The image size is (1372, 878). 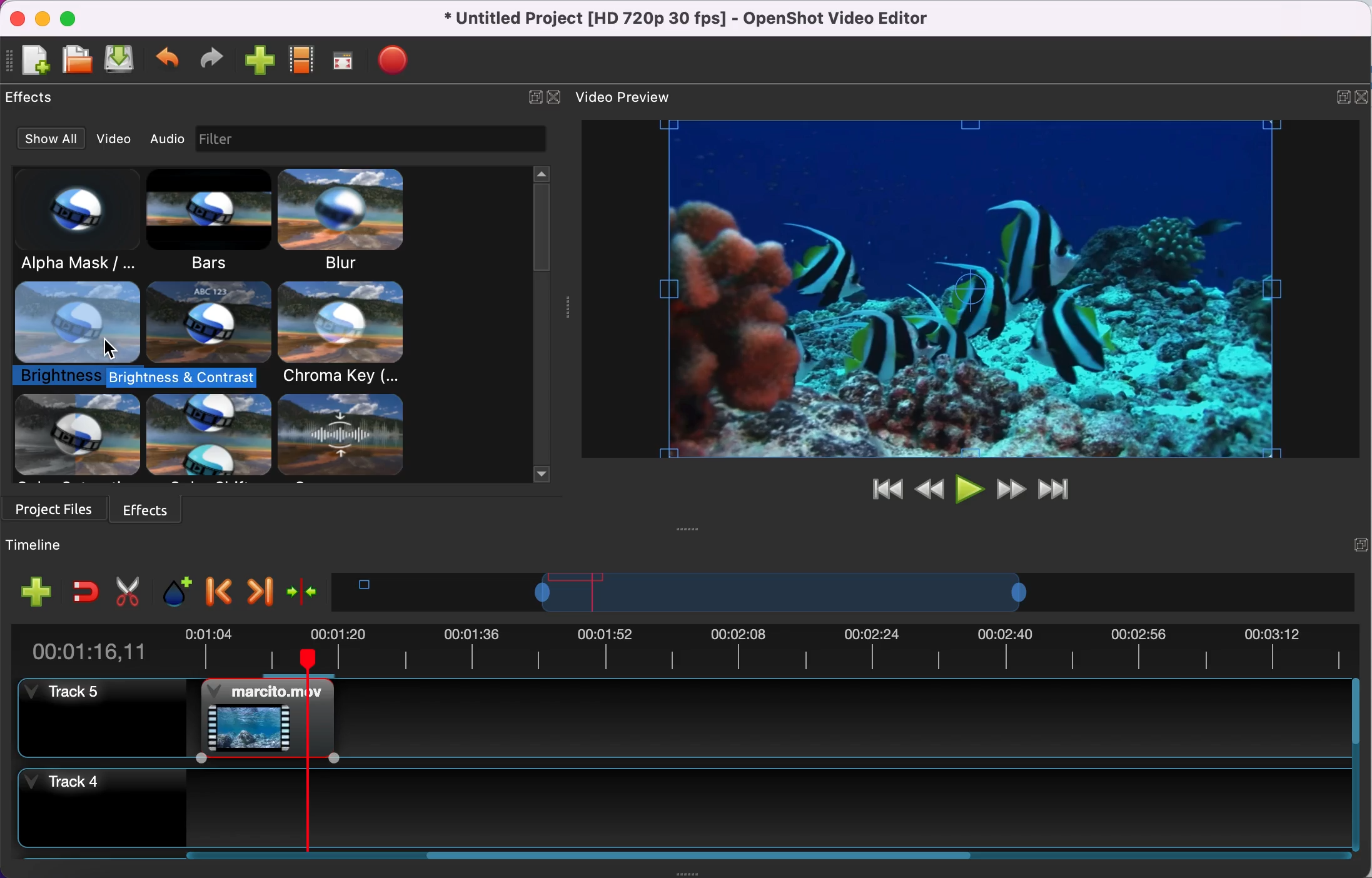 What do you see at coordinates (345, 335) in the screenshot?
I see `chroma key` at bounding box center [345, 335].